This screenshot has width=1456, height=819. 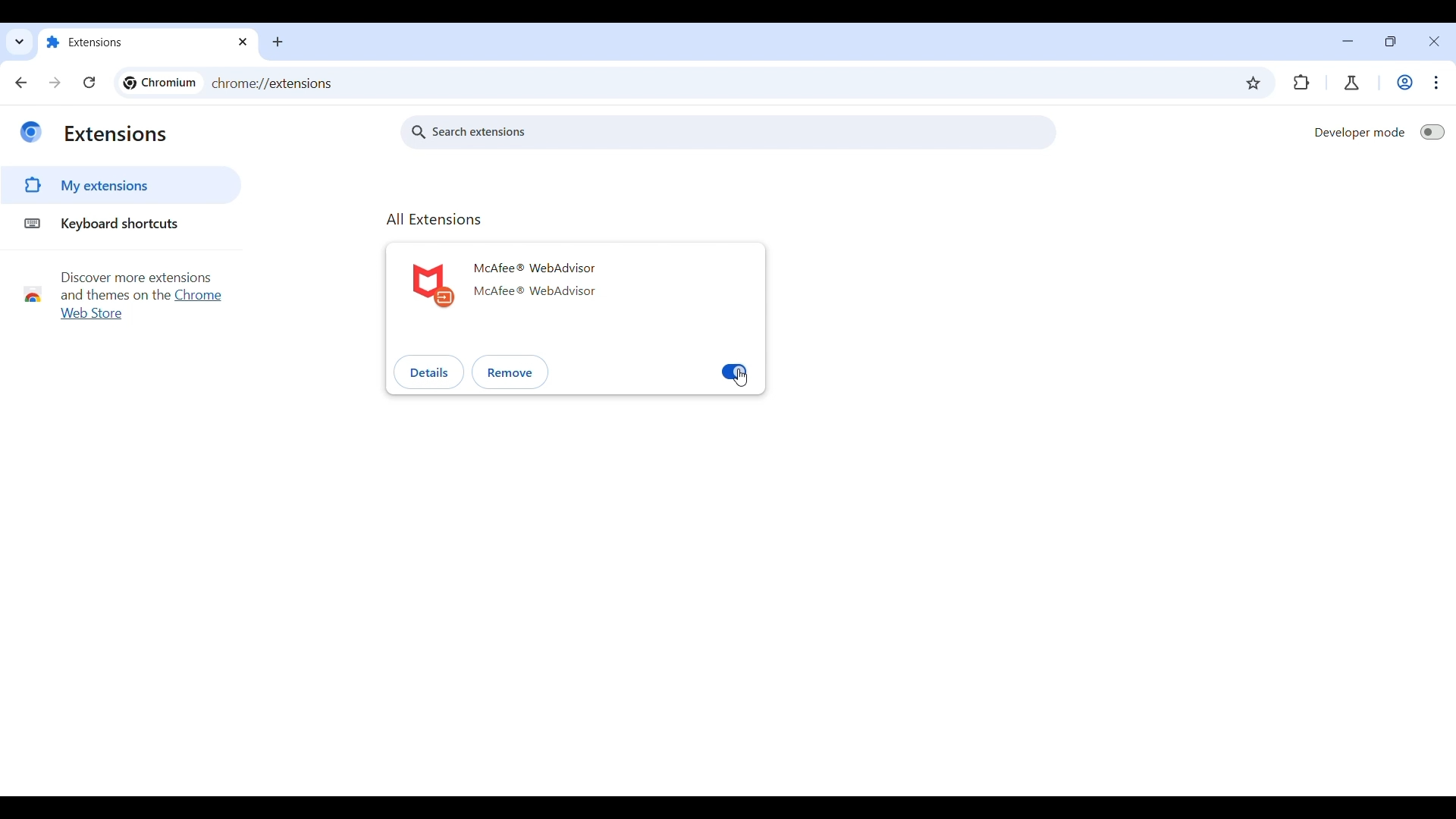 What do you see at coordinates (740, 377) in the screenshot?
I see `Cursor position unchanged` at bounding box center [740, 377].